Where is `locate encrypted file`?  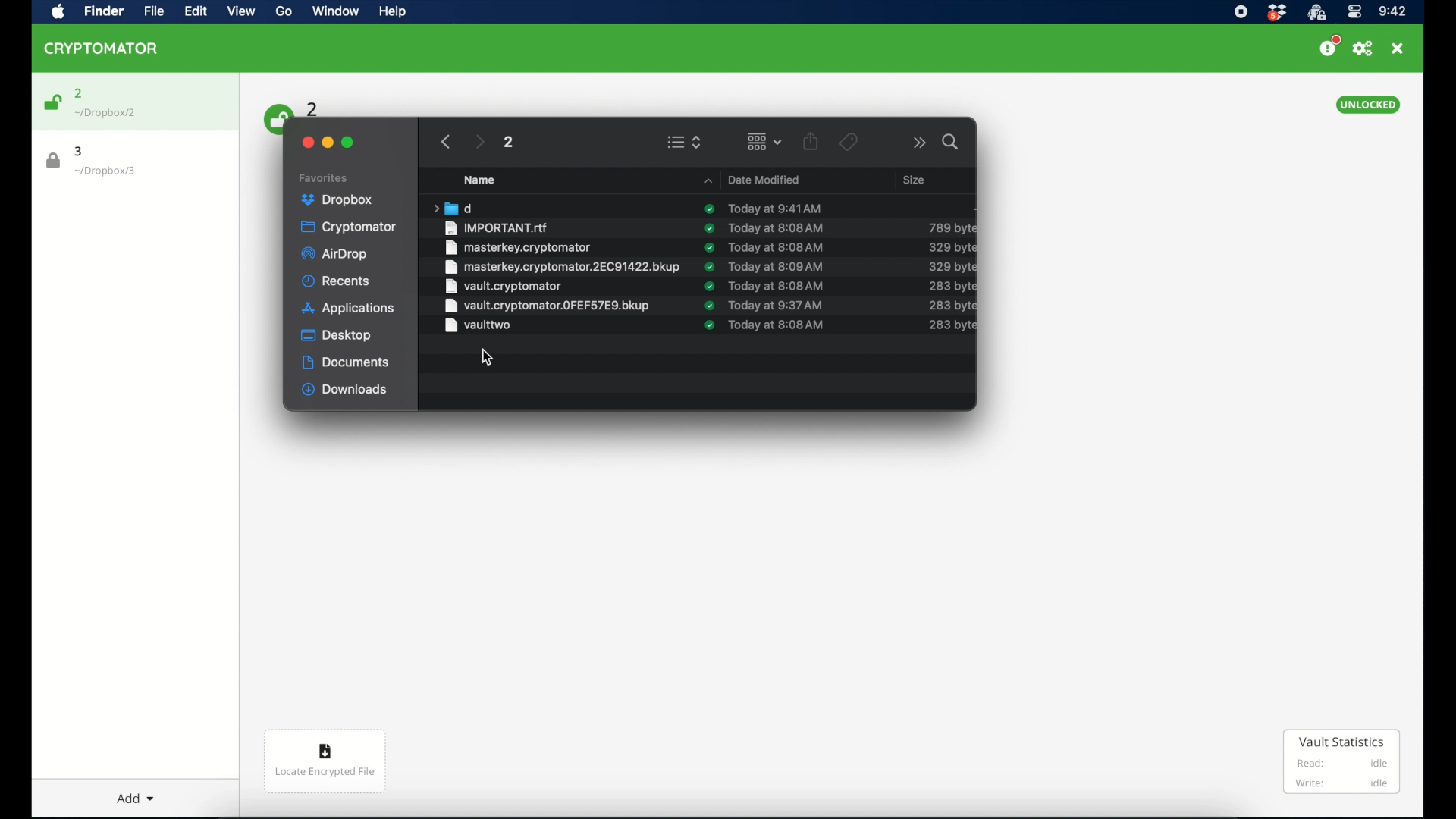
locate encrypted file is located at coordinates (325, 761).